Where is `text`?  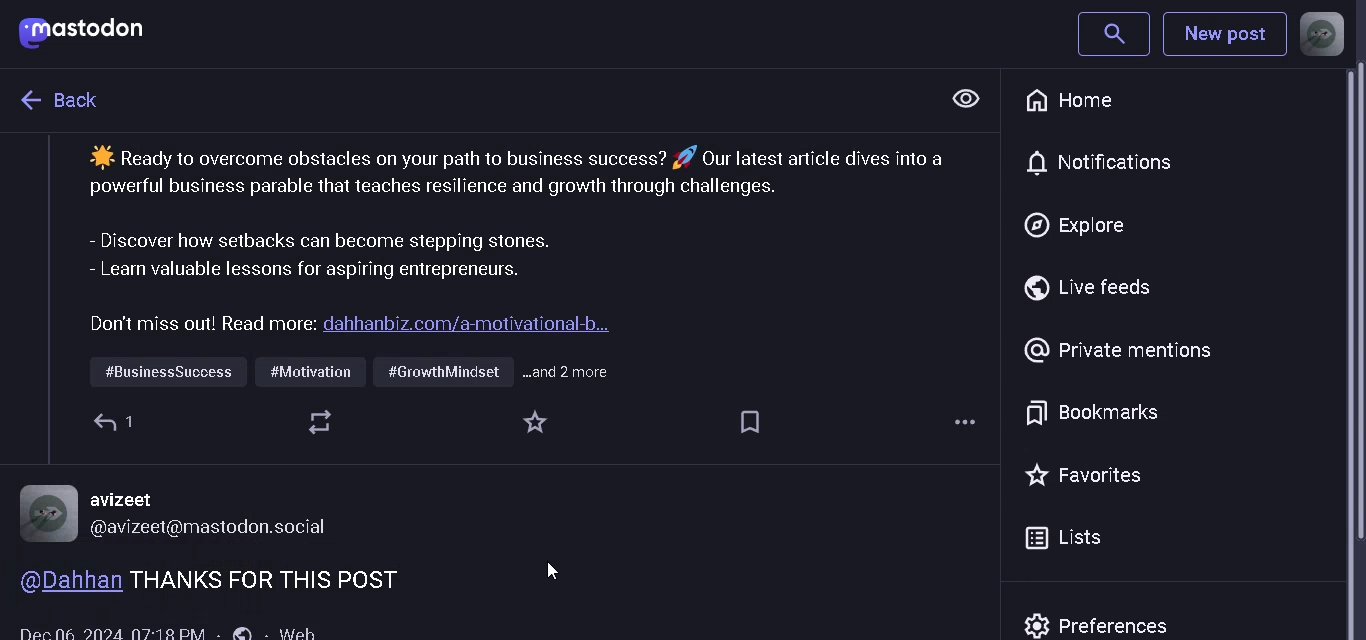 text is located at coordinates (115, 105).